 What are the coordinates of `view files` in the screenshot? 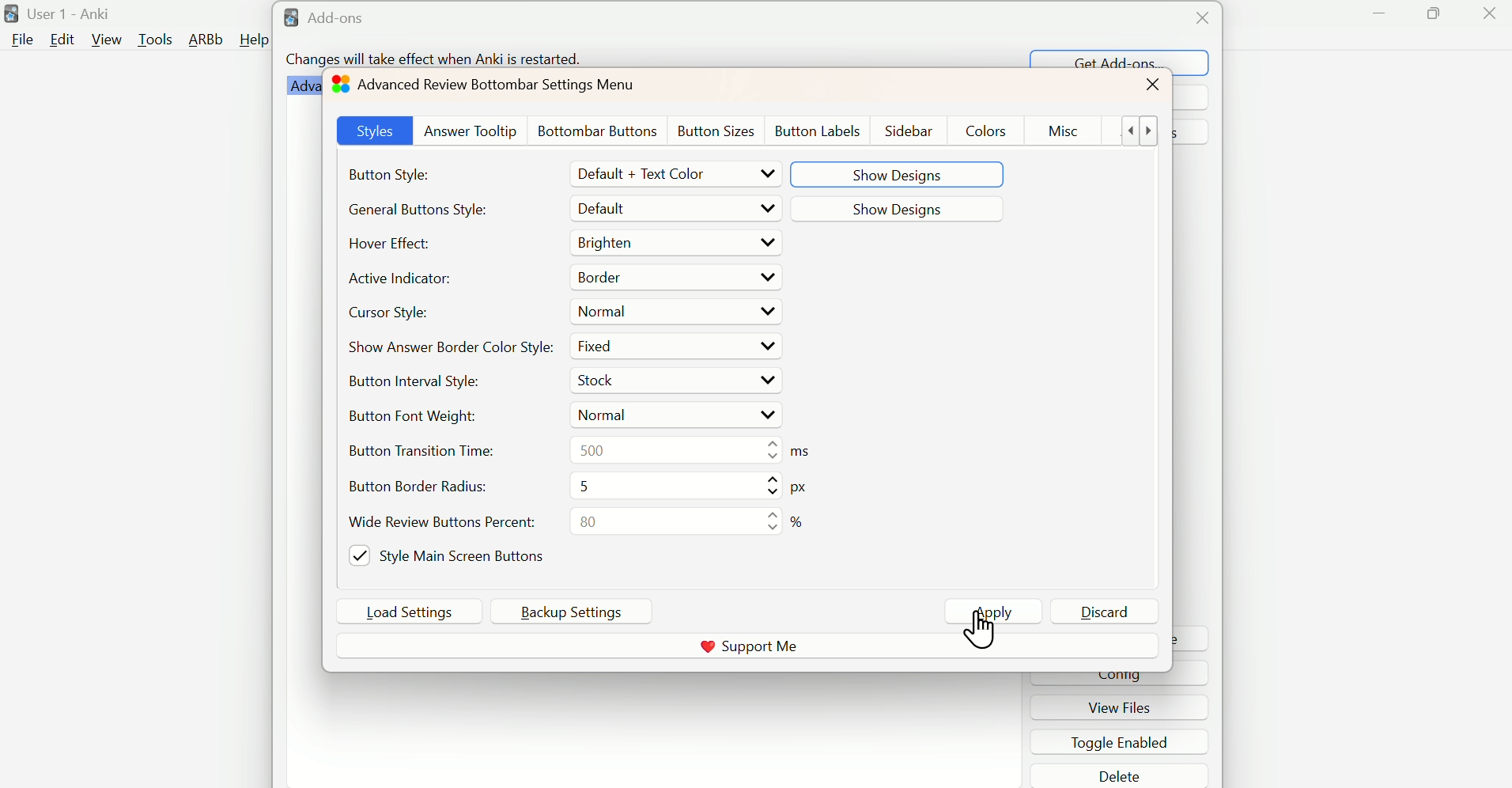 It's located at (1112, 706).